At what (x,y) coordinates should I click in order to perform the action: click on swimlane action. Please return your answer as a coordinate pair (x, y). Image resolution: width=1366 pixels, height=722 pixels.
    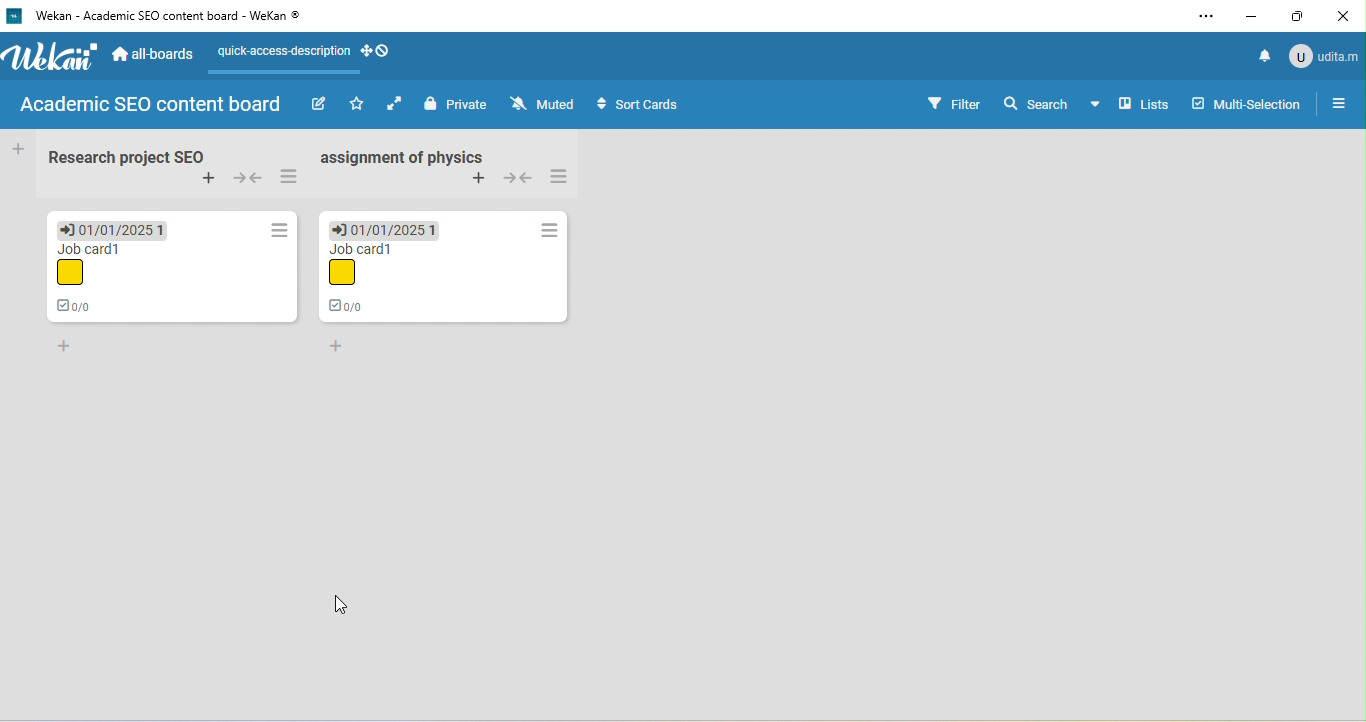
    Looking at the image, I should click on (290, 178).